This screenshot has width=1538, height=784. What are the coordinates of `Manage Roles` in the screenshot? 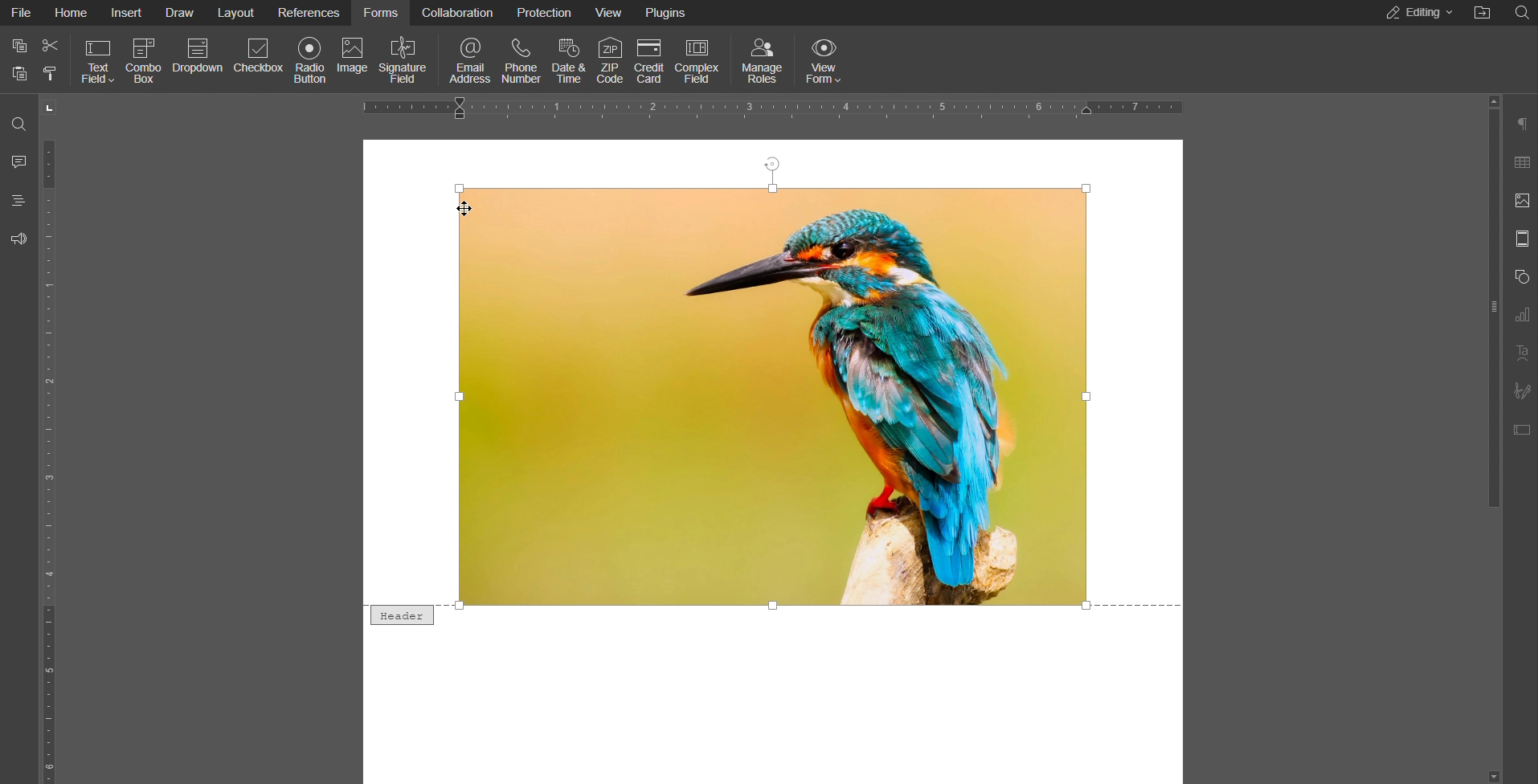 It's located at (763, 59).